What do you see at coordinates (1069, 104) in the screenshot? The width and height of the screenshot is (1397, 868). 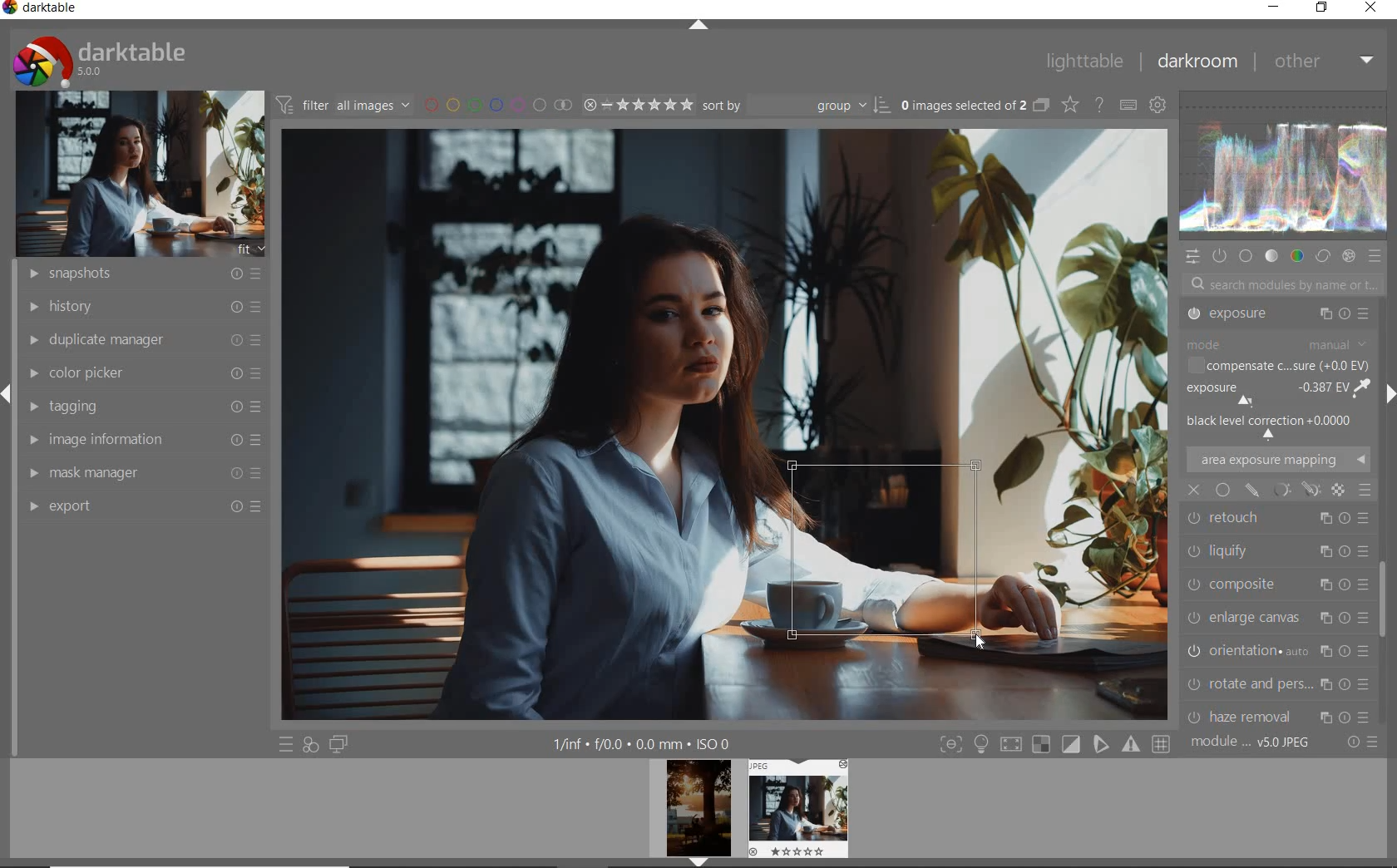 I see `CHANGE TYPE OF OVERRELAY` at bounding box center [1069, 104].